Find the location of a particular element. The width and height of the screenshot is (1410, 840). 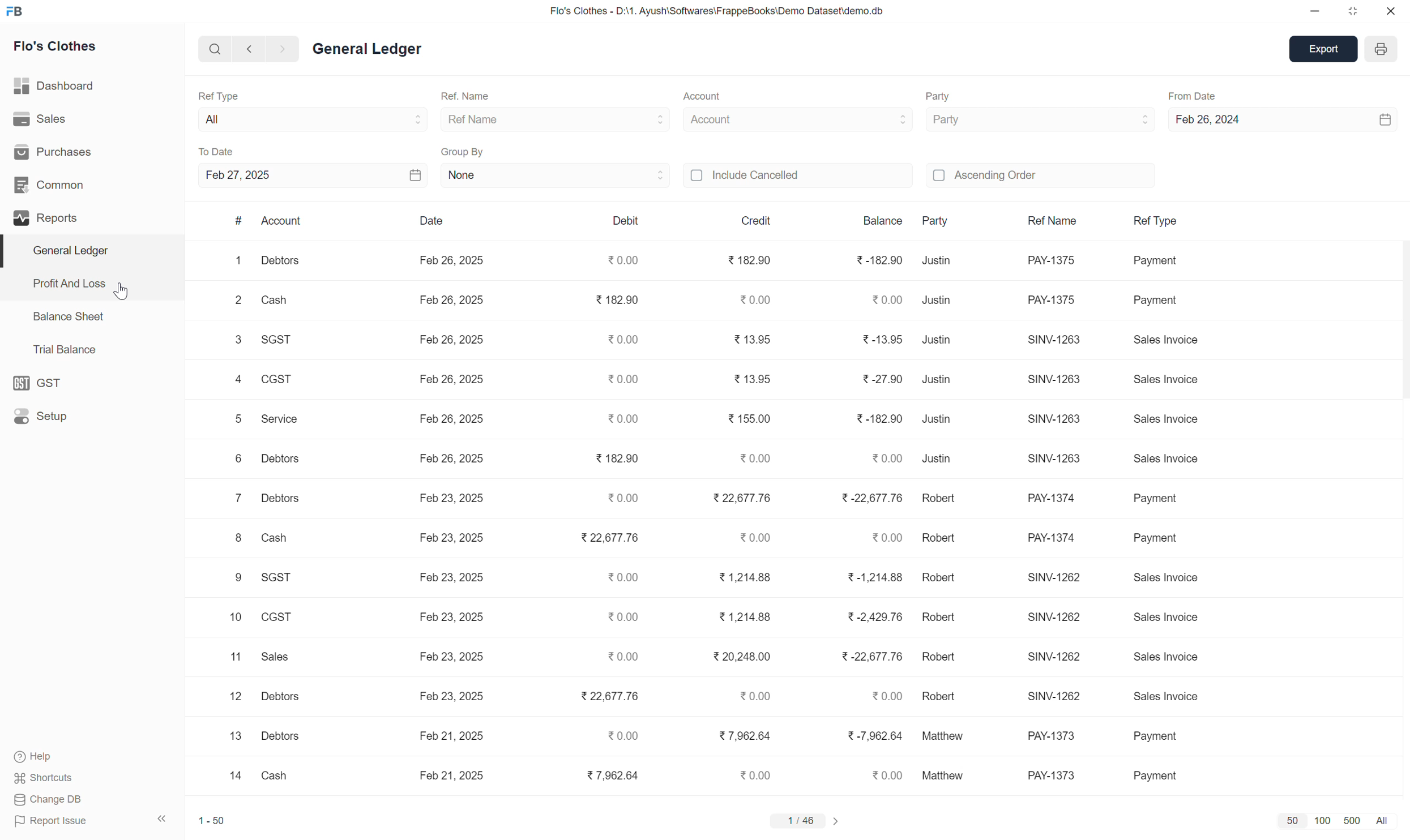

9 is located at coordinates (228, 578).